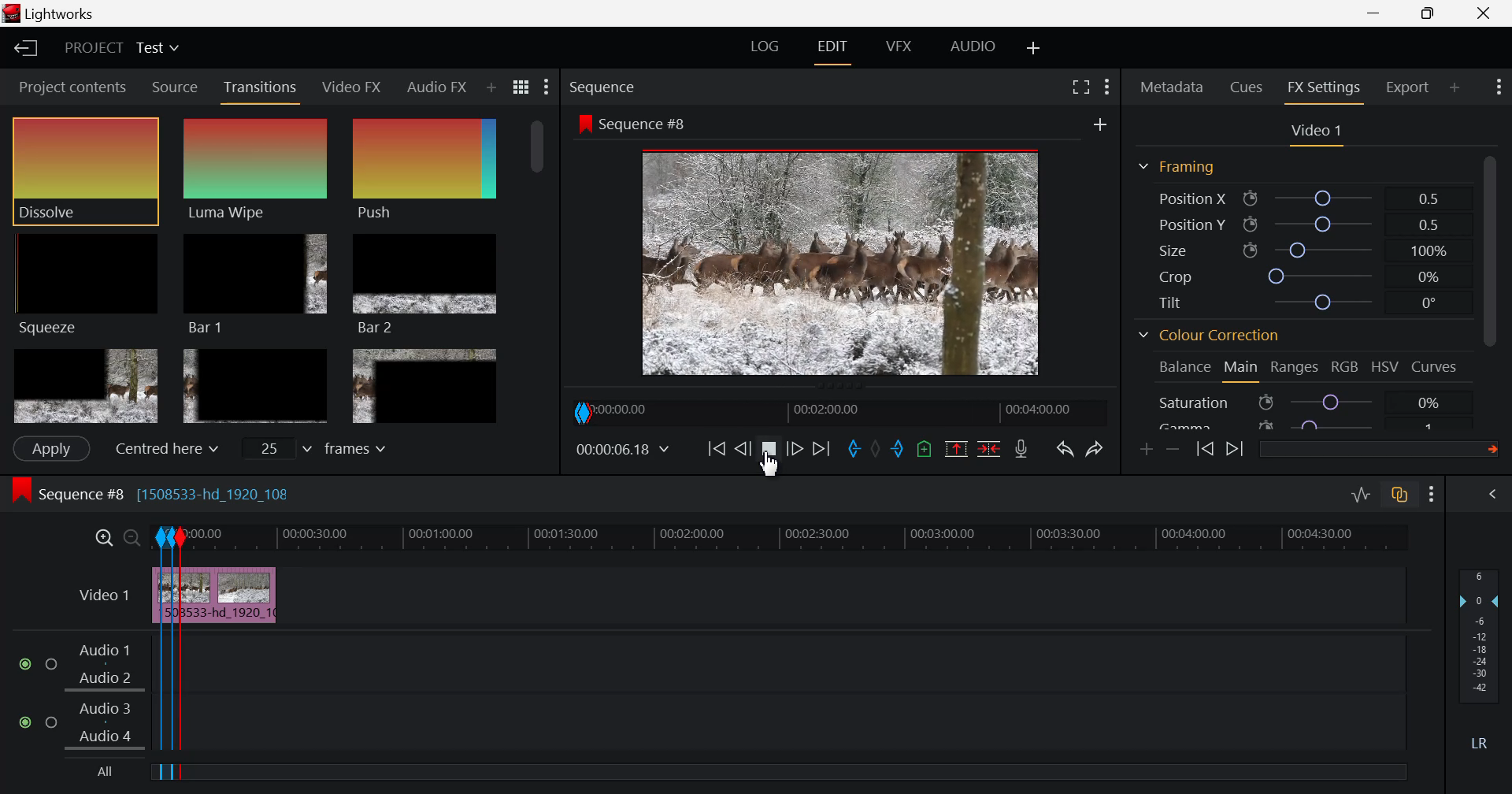  Describe the element at coordinates (1096, 445) in the screenshot. I see `Redo` at that location.